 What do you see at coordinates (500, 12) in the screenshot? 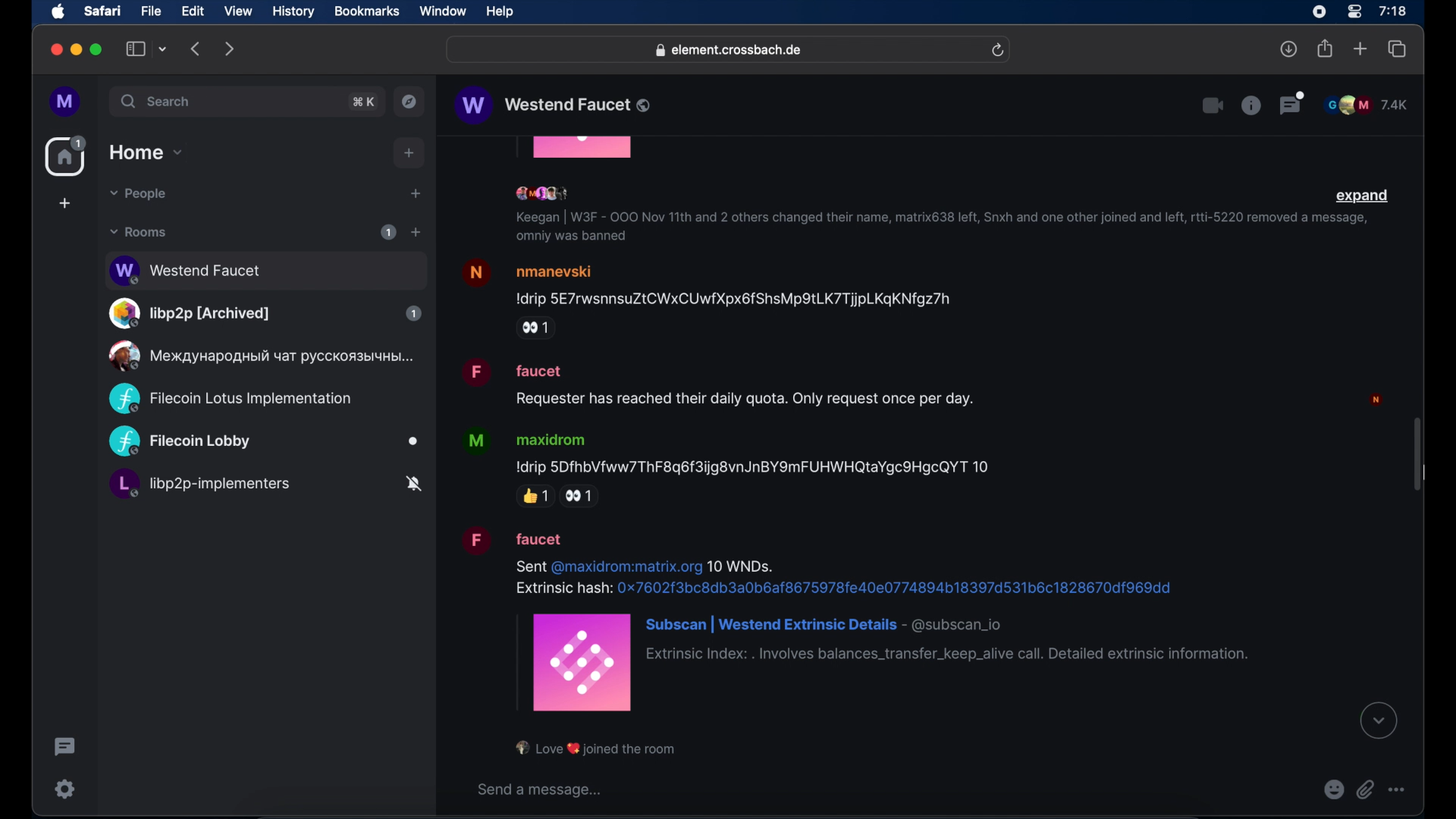
I see `help` at bounding box center [500, 12].